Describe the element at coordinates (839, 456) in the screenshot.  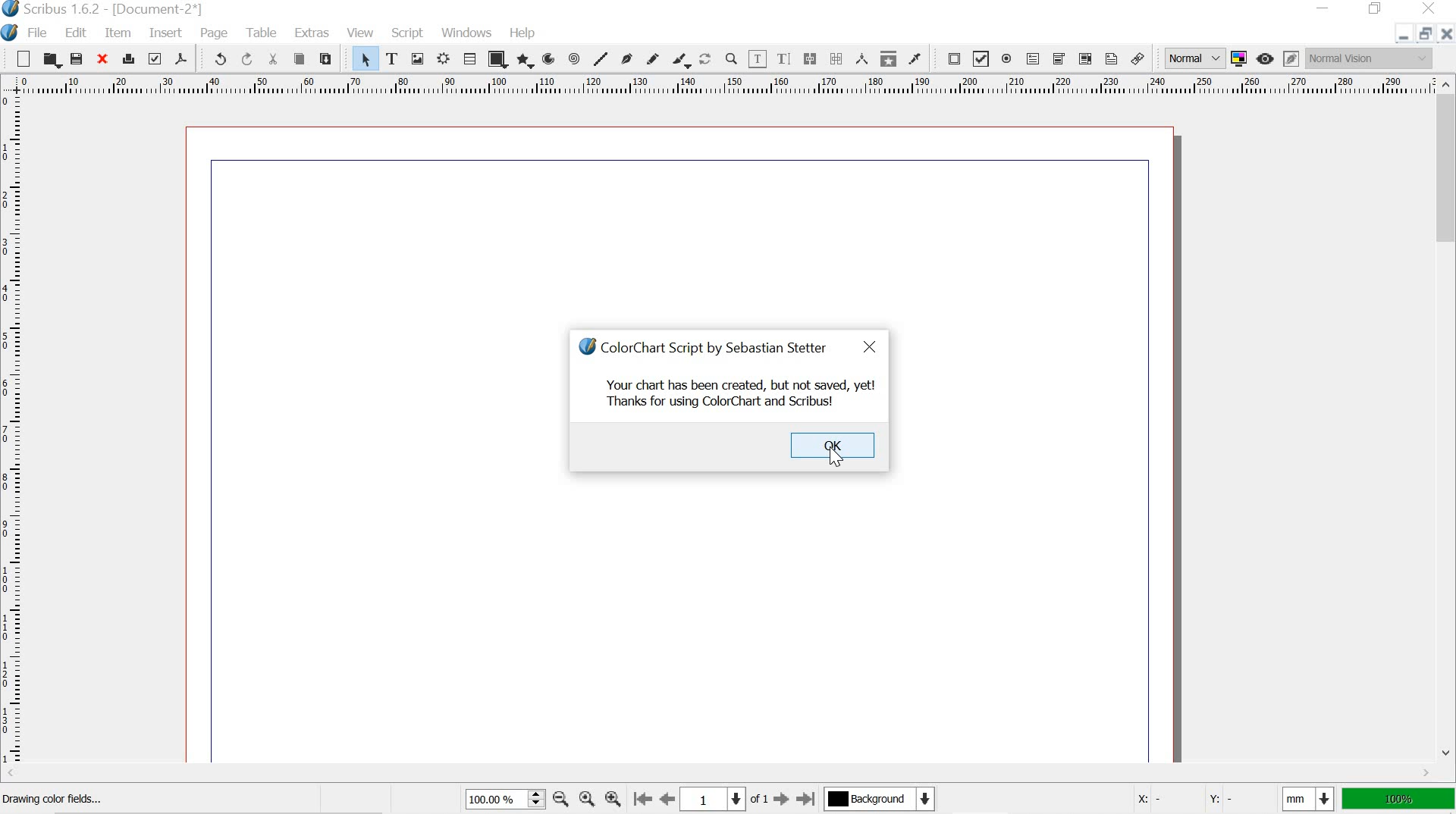
I see `cursor` at that location.